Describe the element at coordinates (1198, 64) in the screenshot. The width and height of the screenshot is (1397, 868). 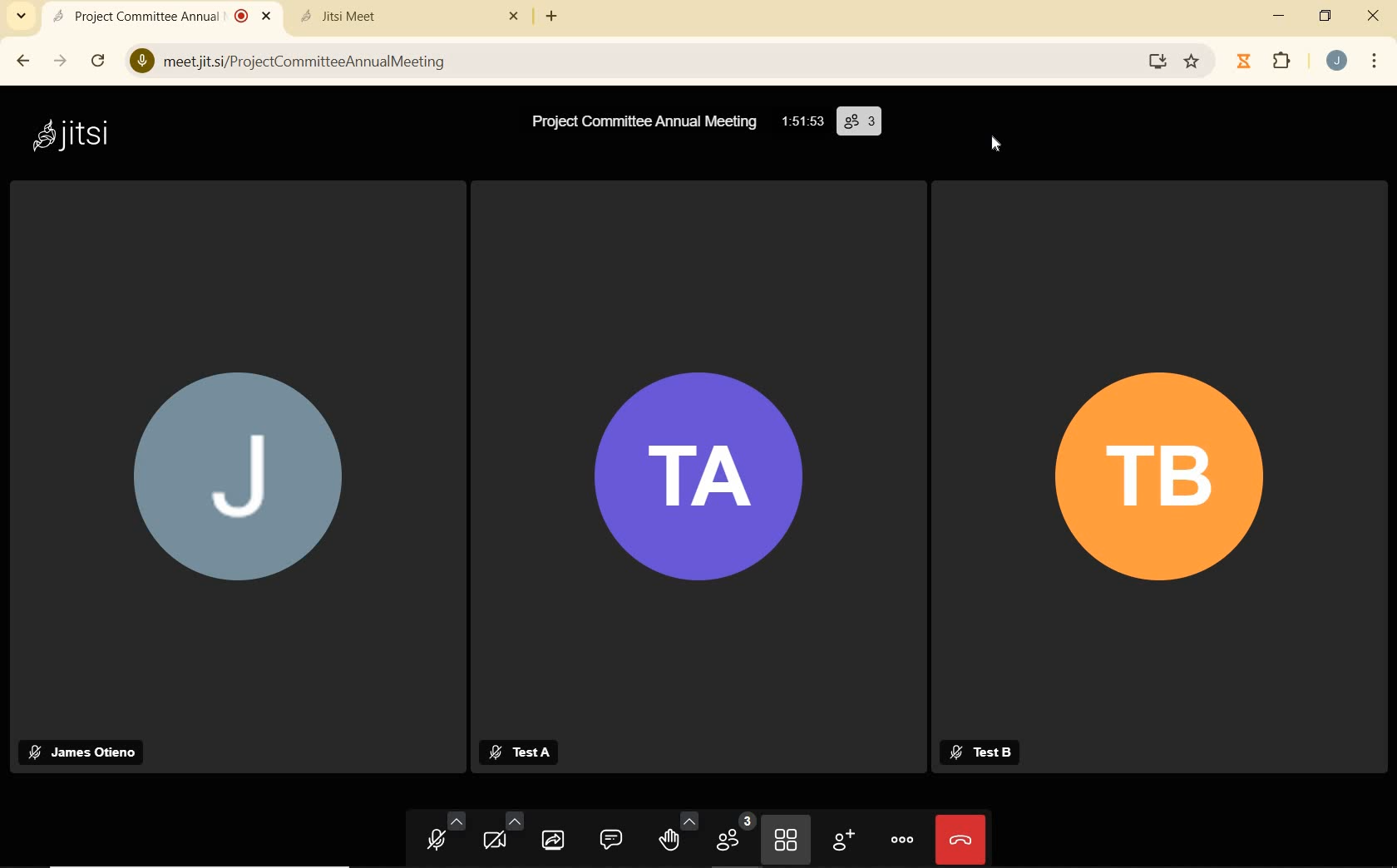
I see `Bookmark this Tab` at that location.